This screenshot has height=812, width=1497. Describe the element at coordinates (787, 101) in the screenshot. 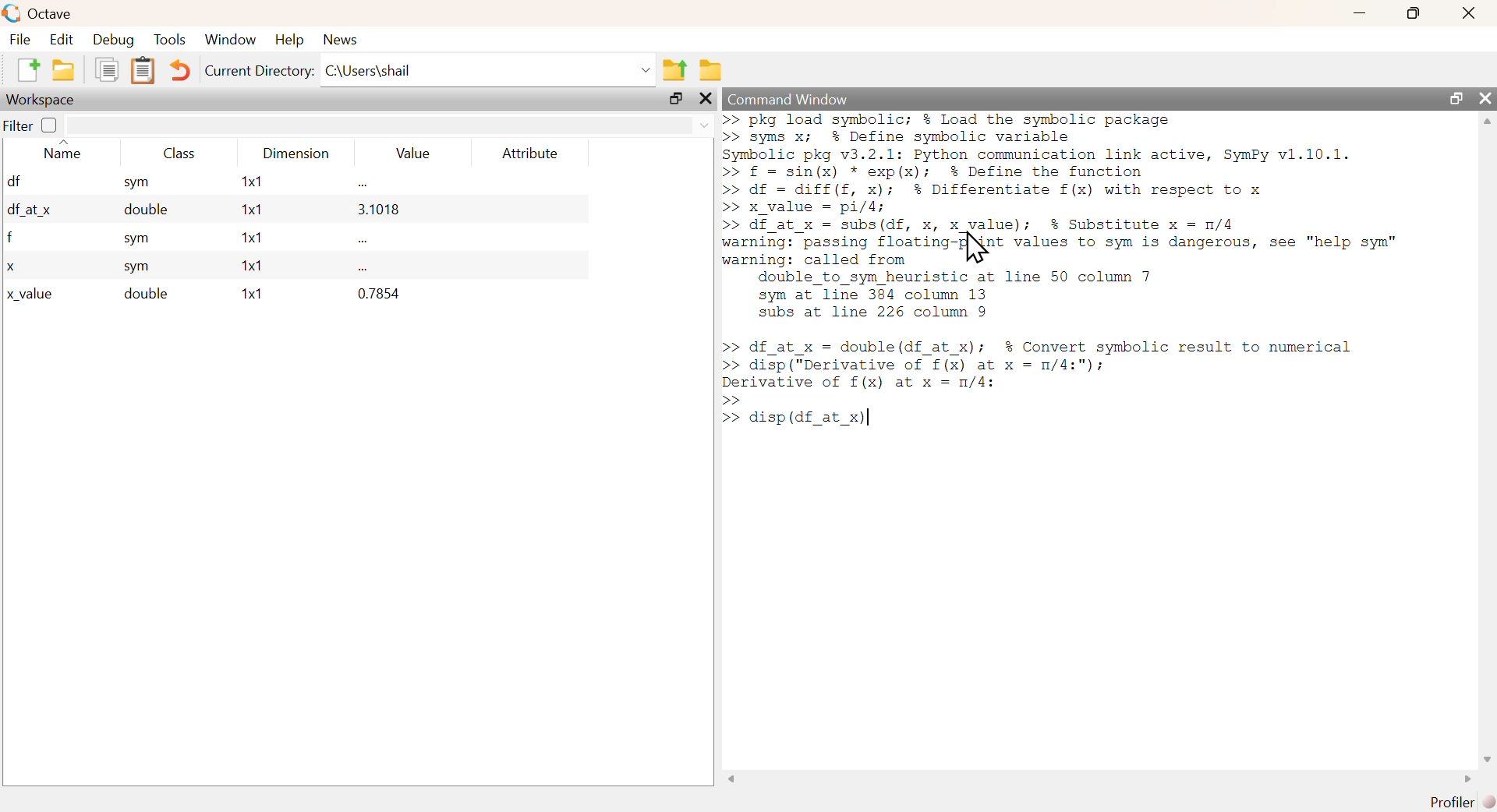

I see `Command Window` at that location.